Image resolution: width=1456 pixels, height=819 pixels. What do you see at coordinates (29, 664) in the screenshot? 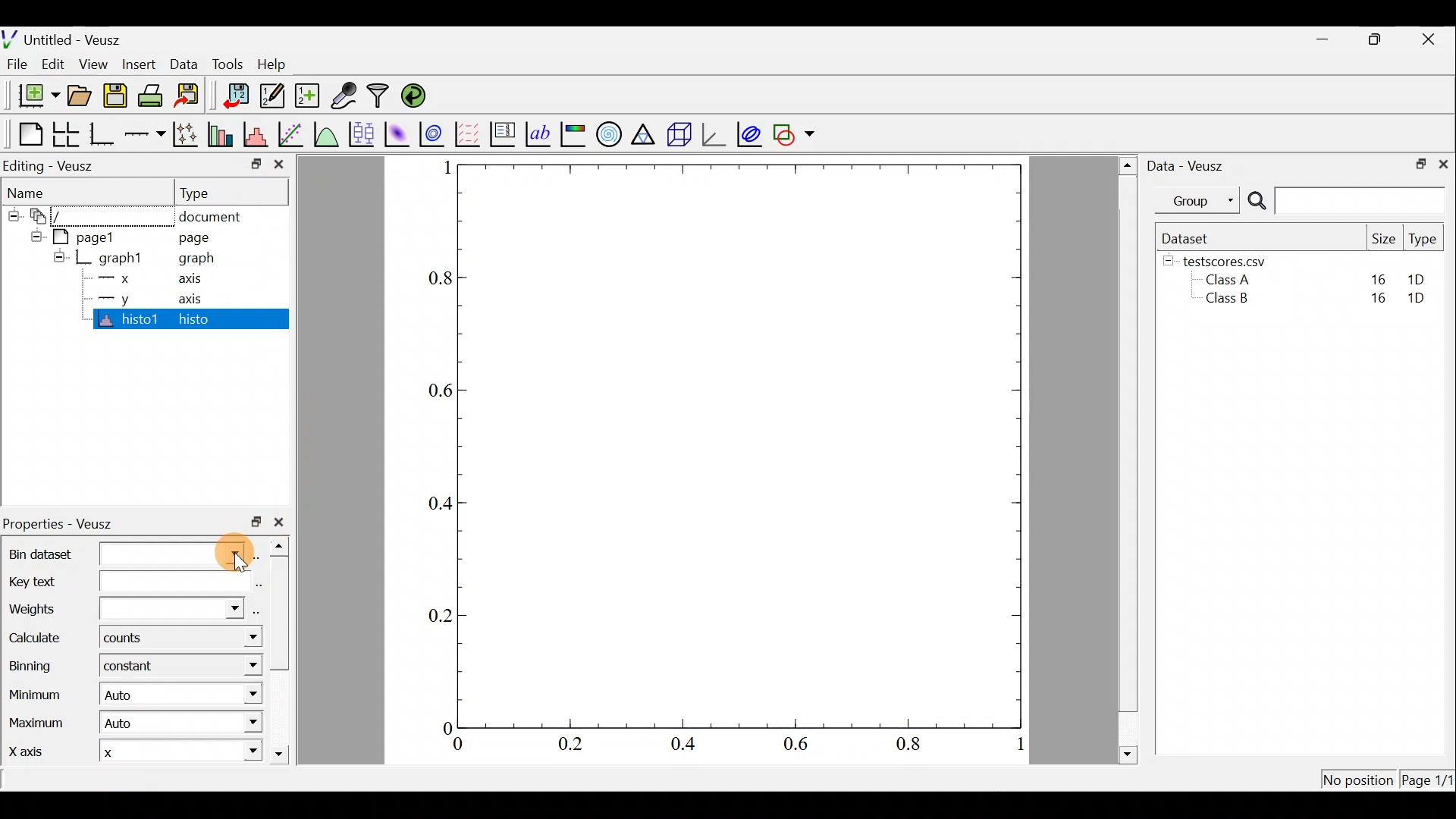
I see `Binning` at bounding box center [29, 664].